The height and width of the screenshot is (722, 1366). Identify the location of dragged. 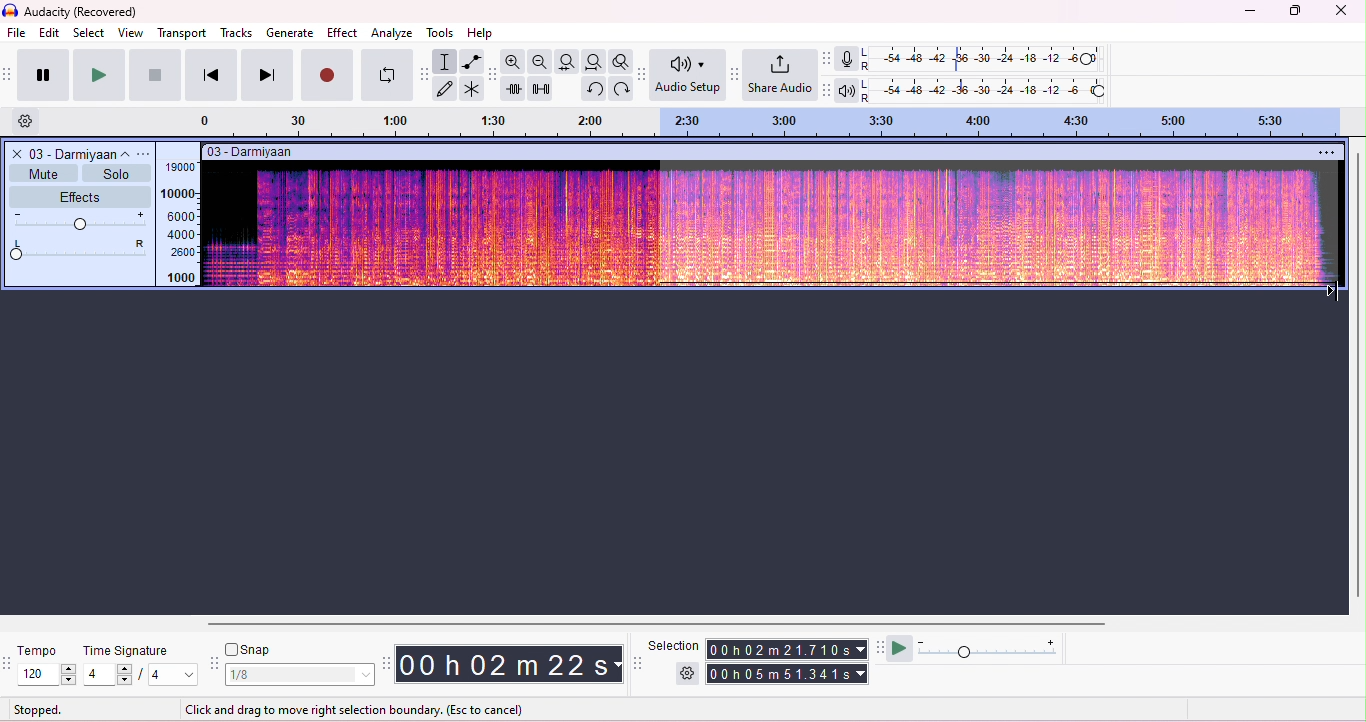
(997, 229).